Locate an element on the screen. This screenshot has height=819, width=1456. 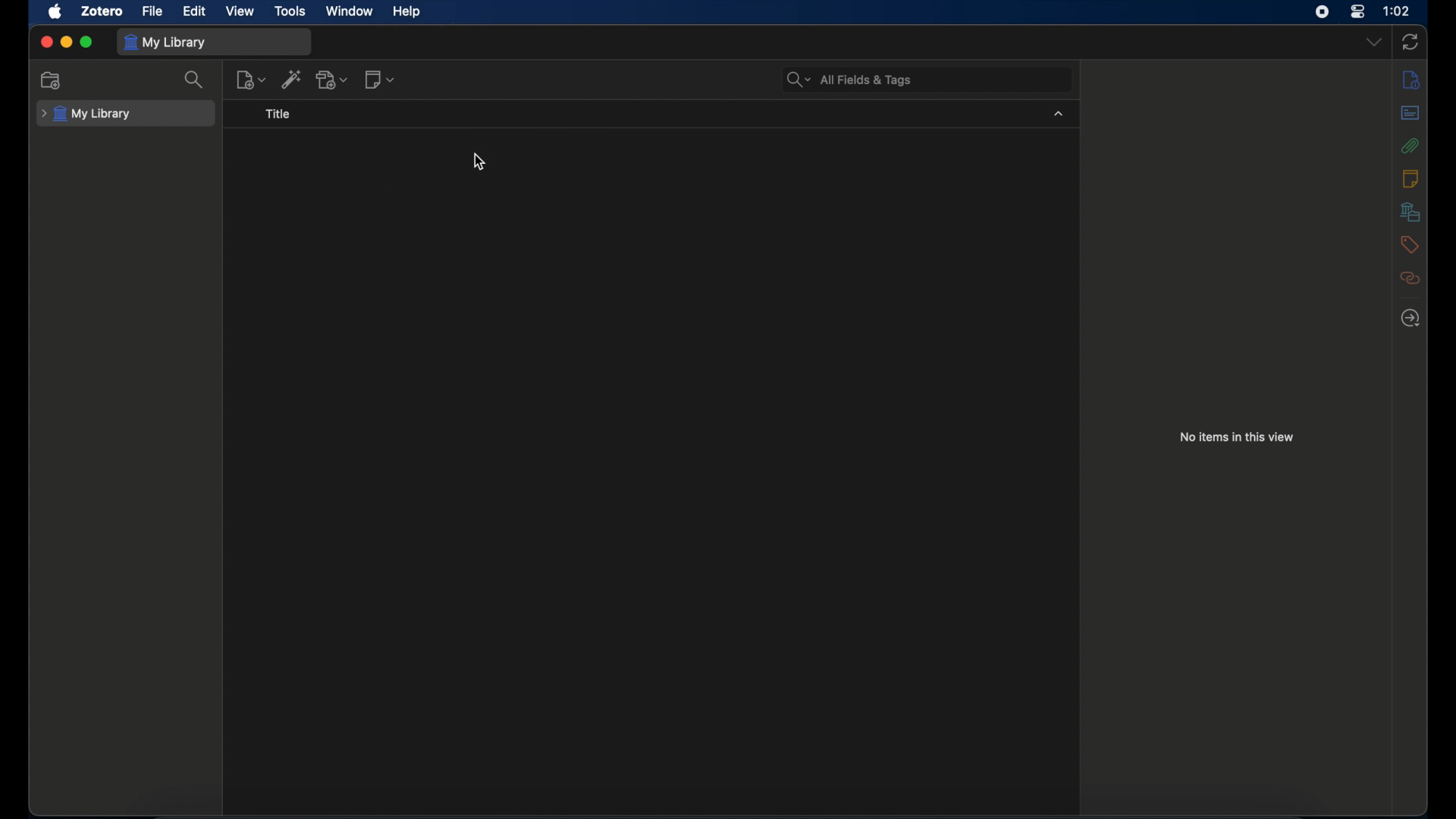
attachments is located at coordinates (1410, 146).